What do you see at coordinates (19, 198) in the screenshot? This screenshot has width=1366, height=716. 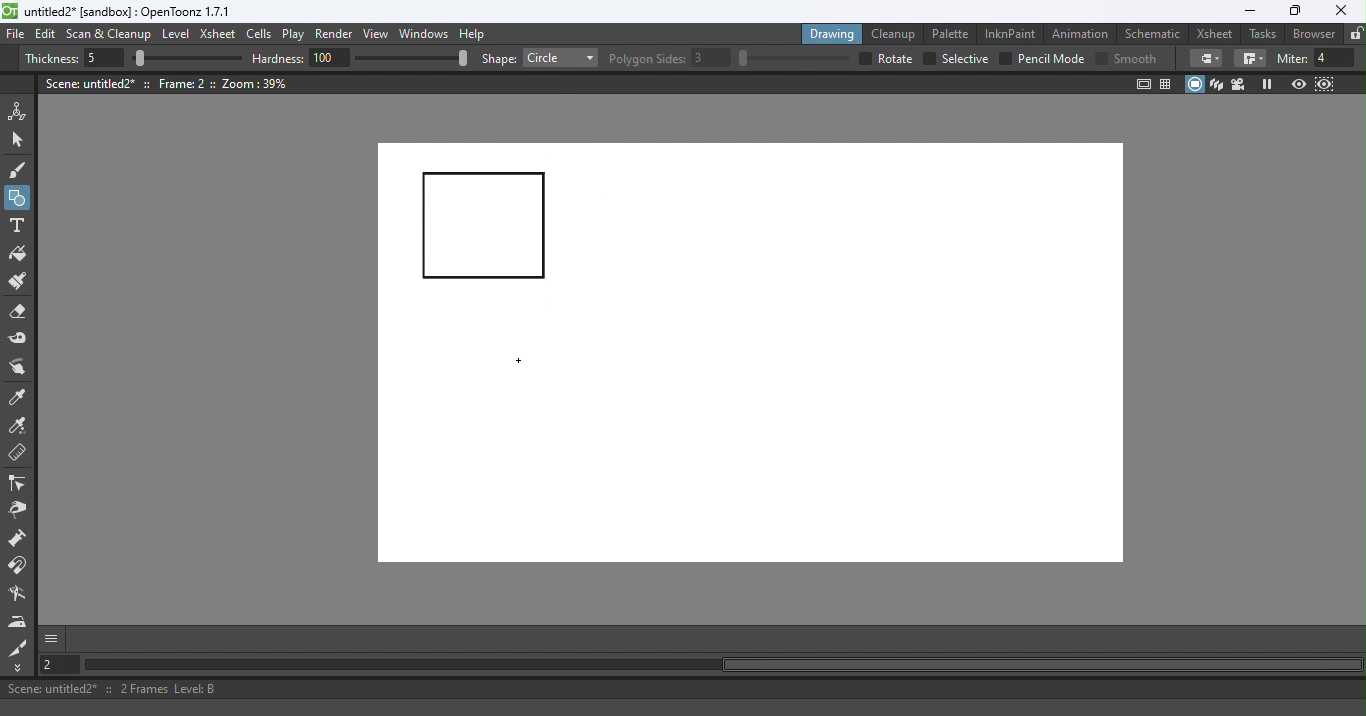 I see `Geometric tool` at bounding box center [19, 198].